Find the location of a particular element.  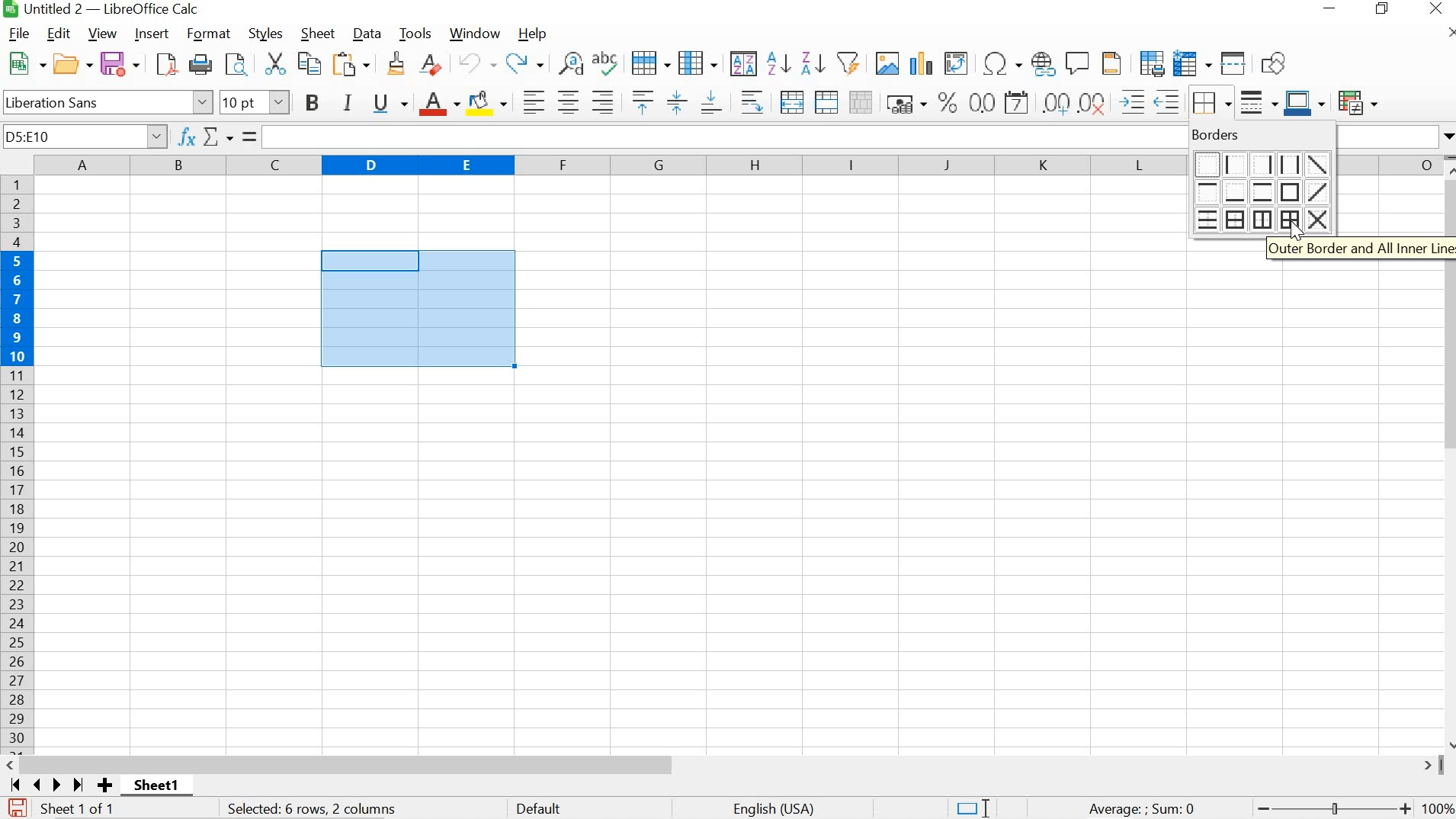

selected 6 rows and 2 columns is located at coordinates (315, 810).